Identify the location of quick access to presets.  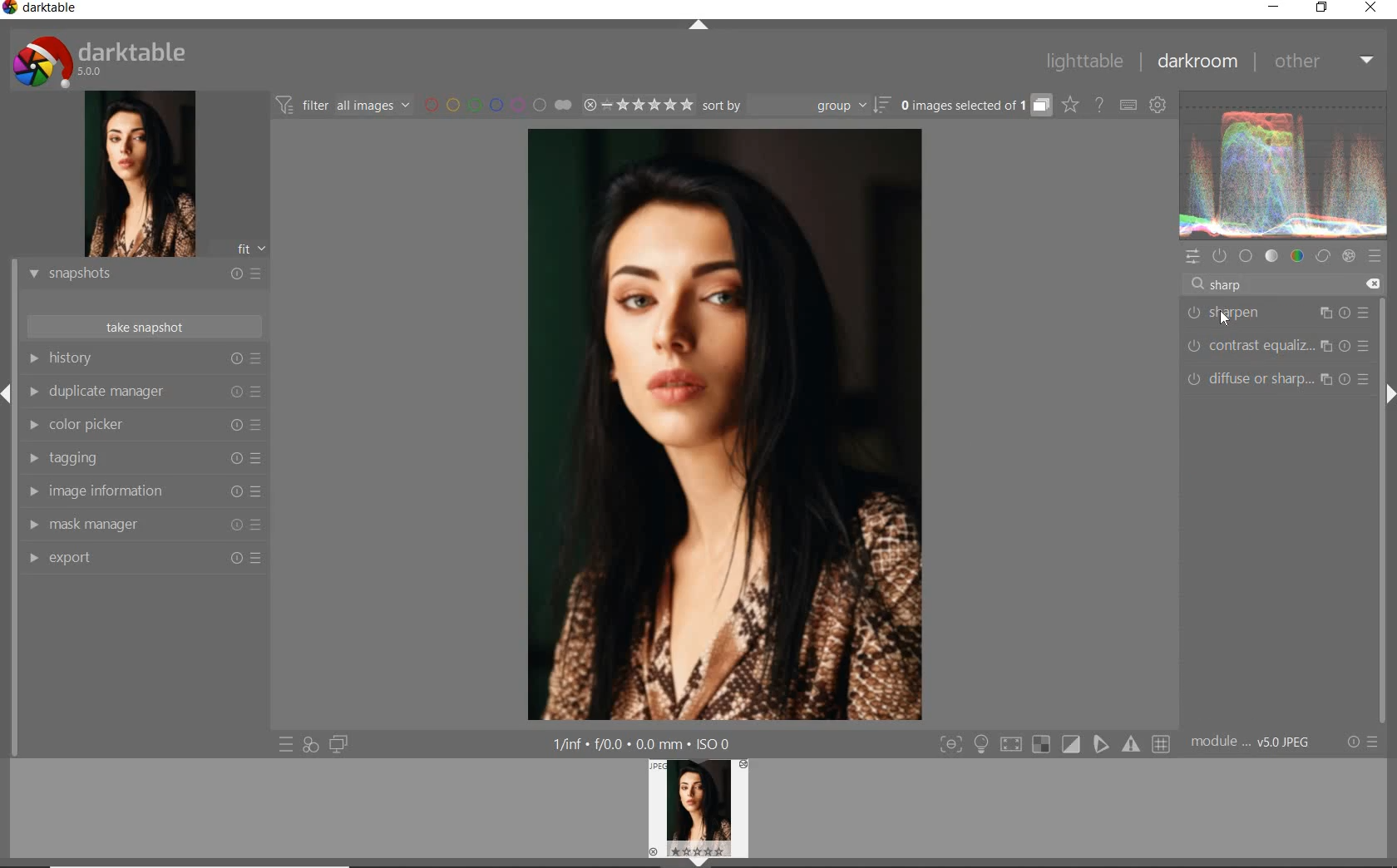
(287, 744).